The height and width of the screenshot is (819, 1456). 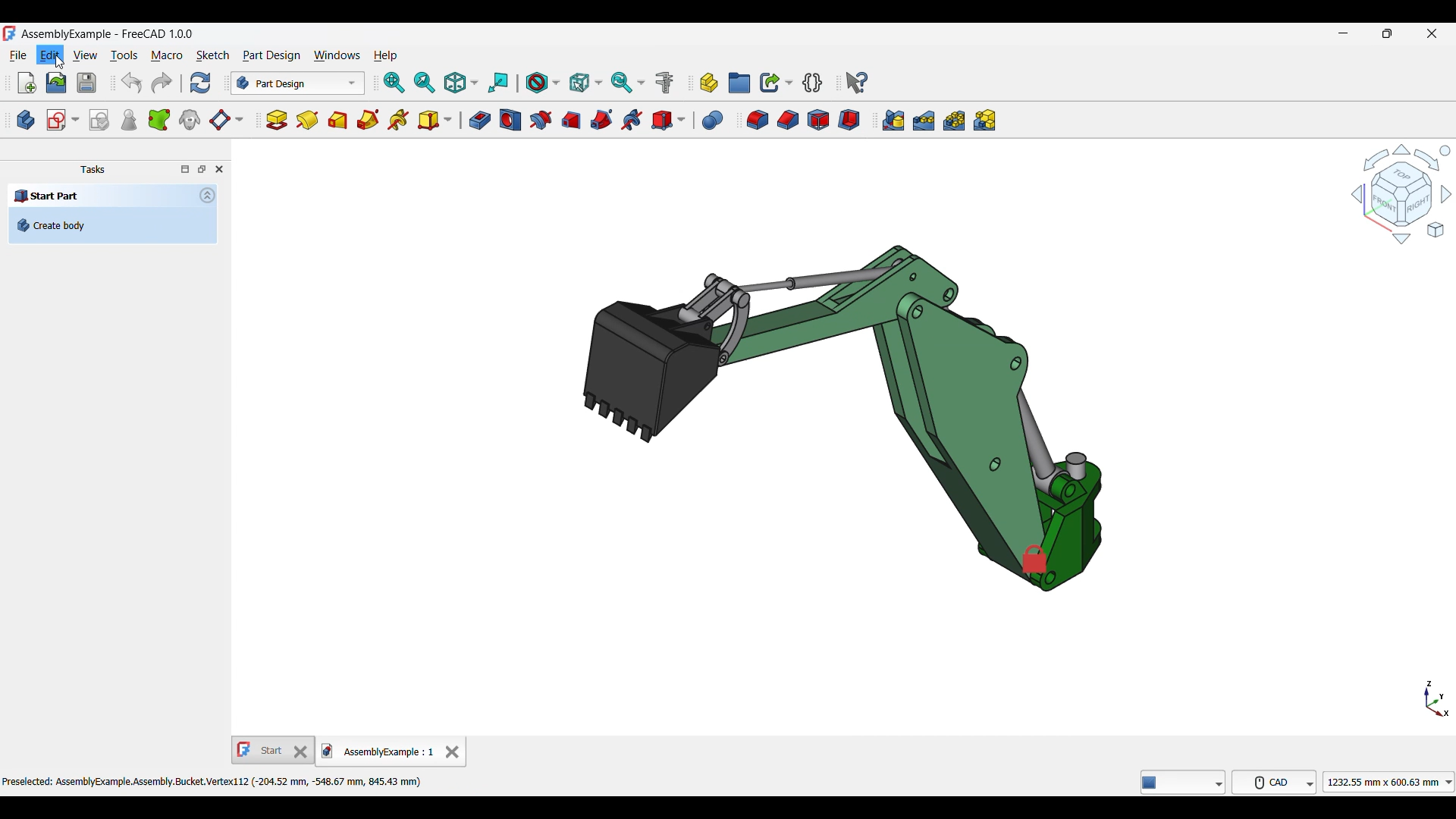 I want to click on Isometric options, so click(x=461, y=83).